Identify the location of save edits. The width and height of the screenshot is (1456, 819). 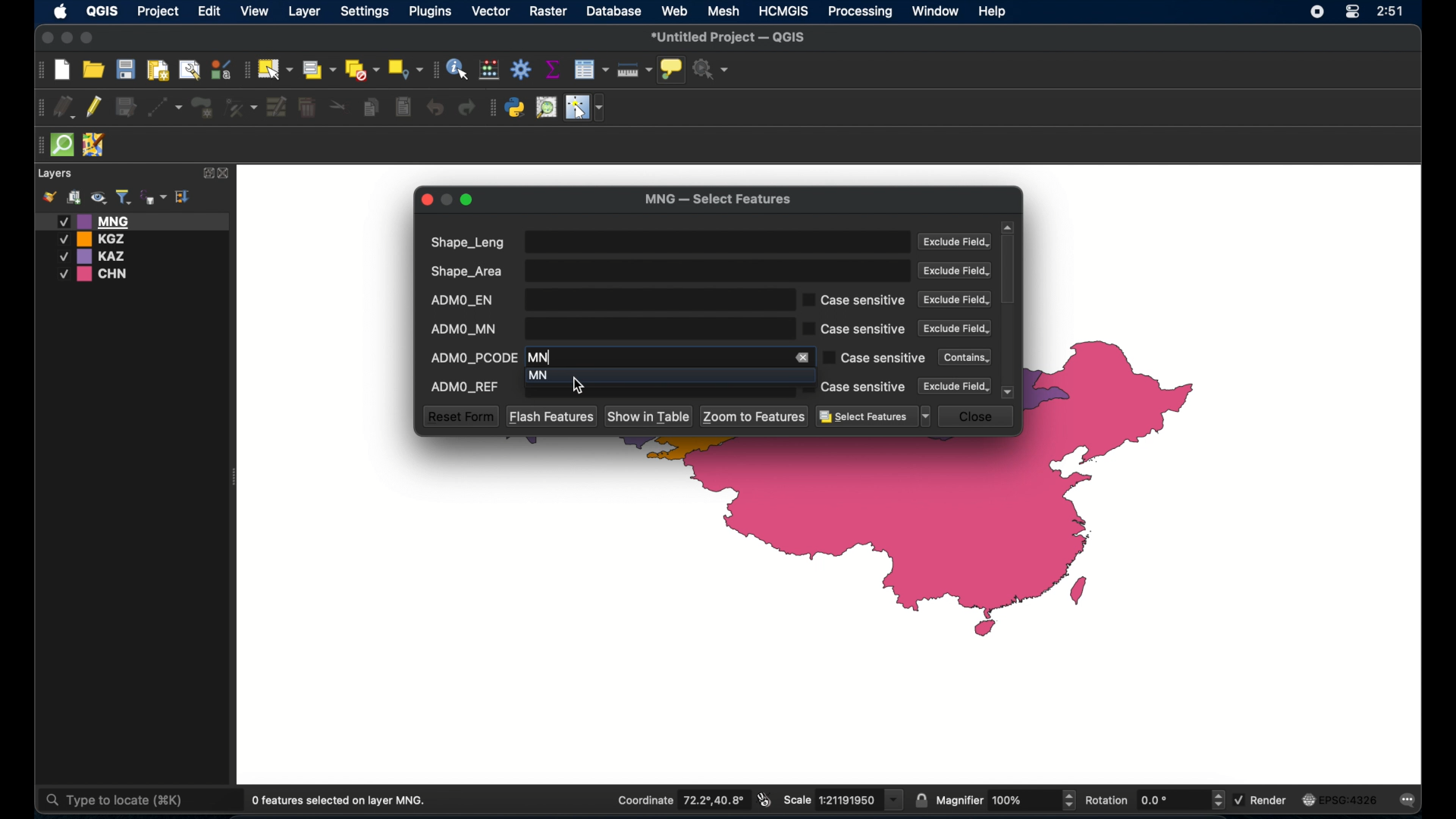
(128, 108).